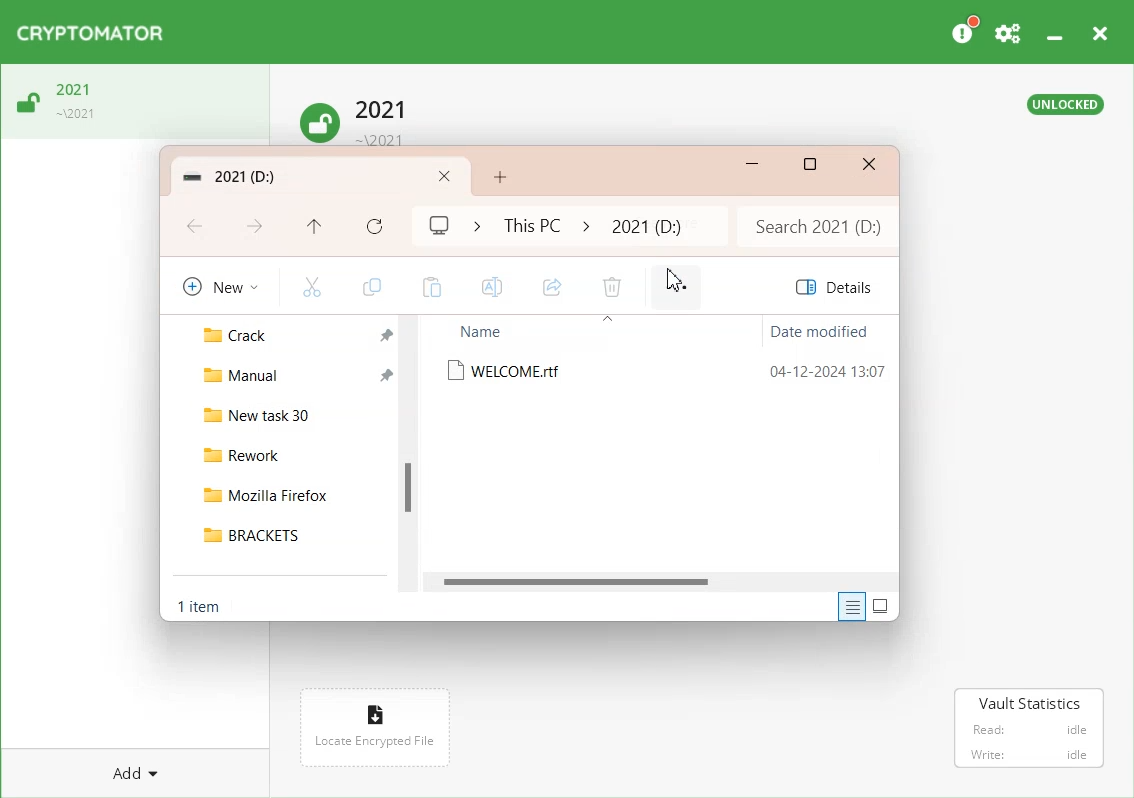 Image resolution: width=1134 pixels, height=798 pixels. Describe the element at coordinates (815, 228) in the screenshot. I see `Search` at that location.